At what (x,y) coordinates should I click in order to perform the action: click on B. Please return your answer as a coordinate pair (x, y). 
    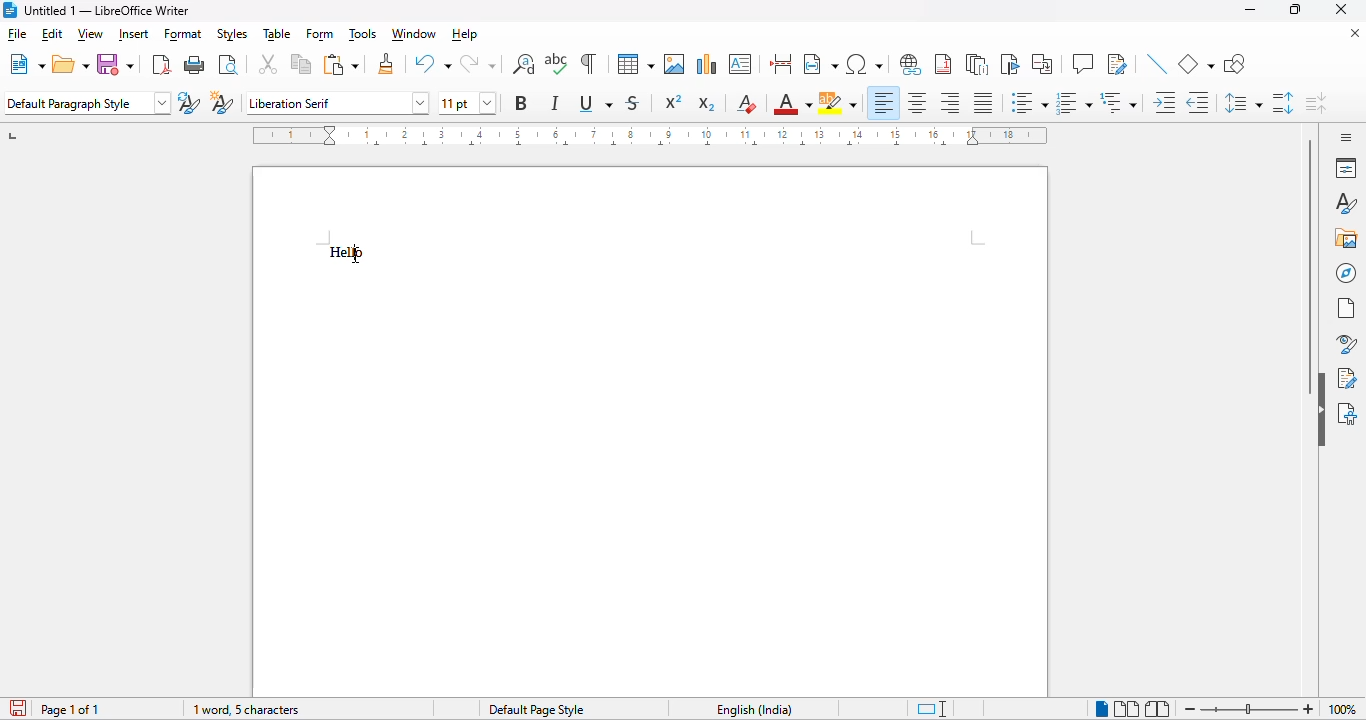
    Looking at the image, I should click on (520, 104).